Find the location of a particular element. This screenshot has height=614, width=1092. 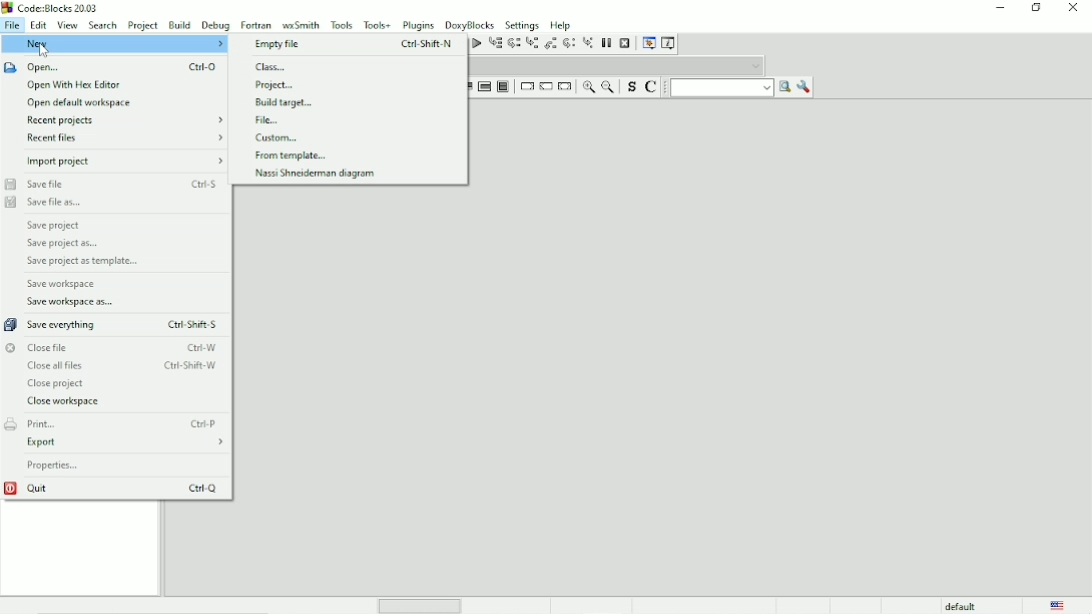

Settings is located at coordinates (522, 24).